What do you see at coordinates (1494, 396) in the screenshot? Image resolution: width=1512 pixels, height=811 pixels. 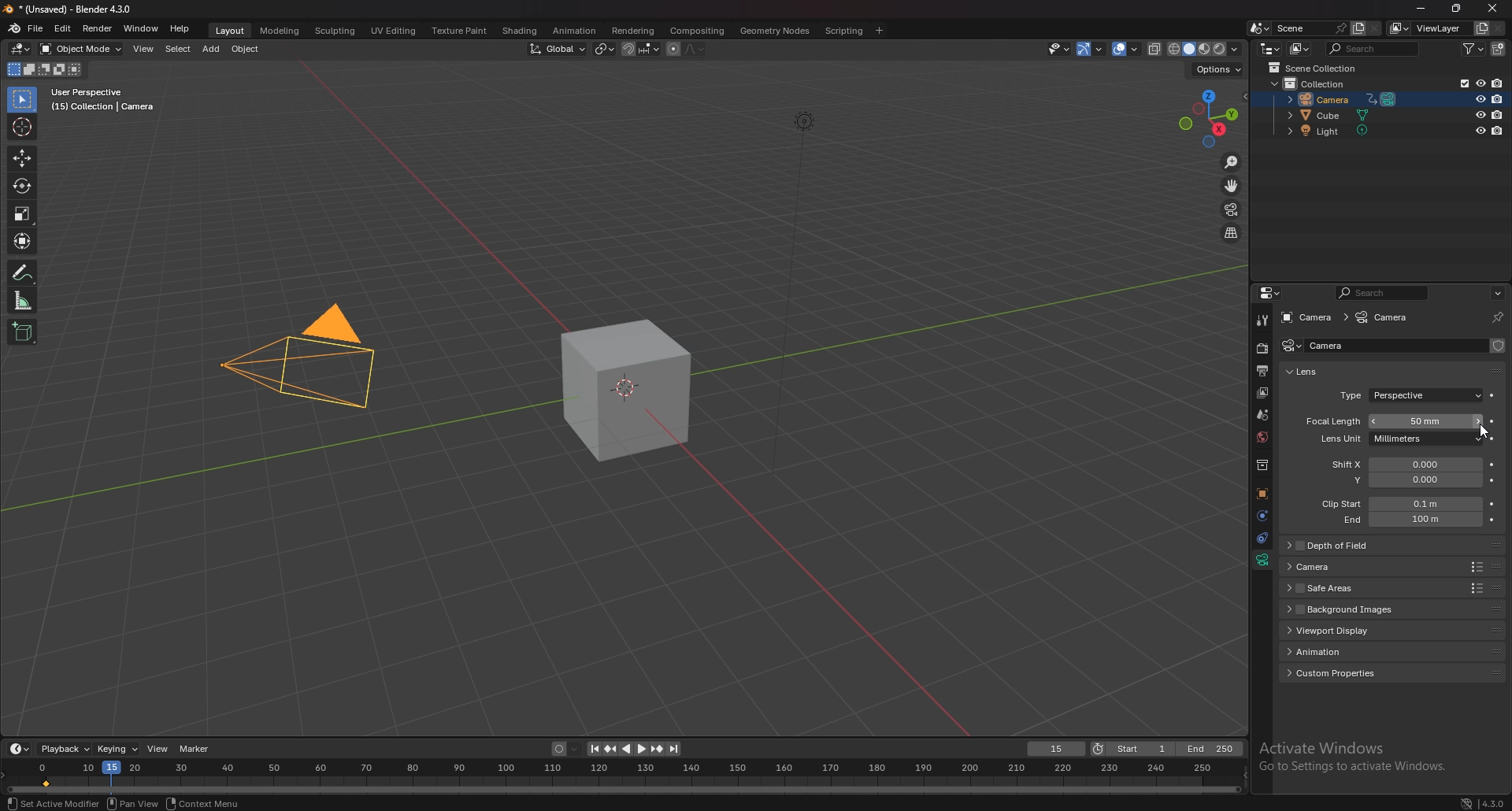 I see `animate property` at bounding box center [1494, 396].